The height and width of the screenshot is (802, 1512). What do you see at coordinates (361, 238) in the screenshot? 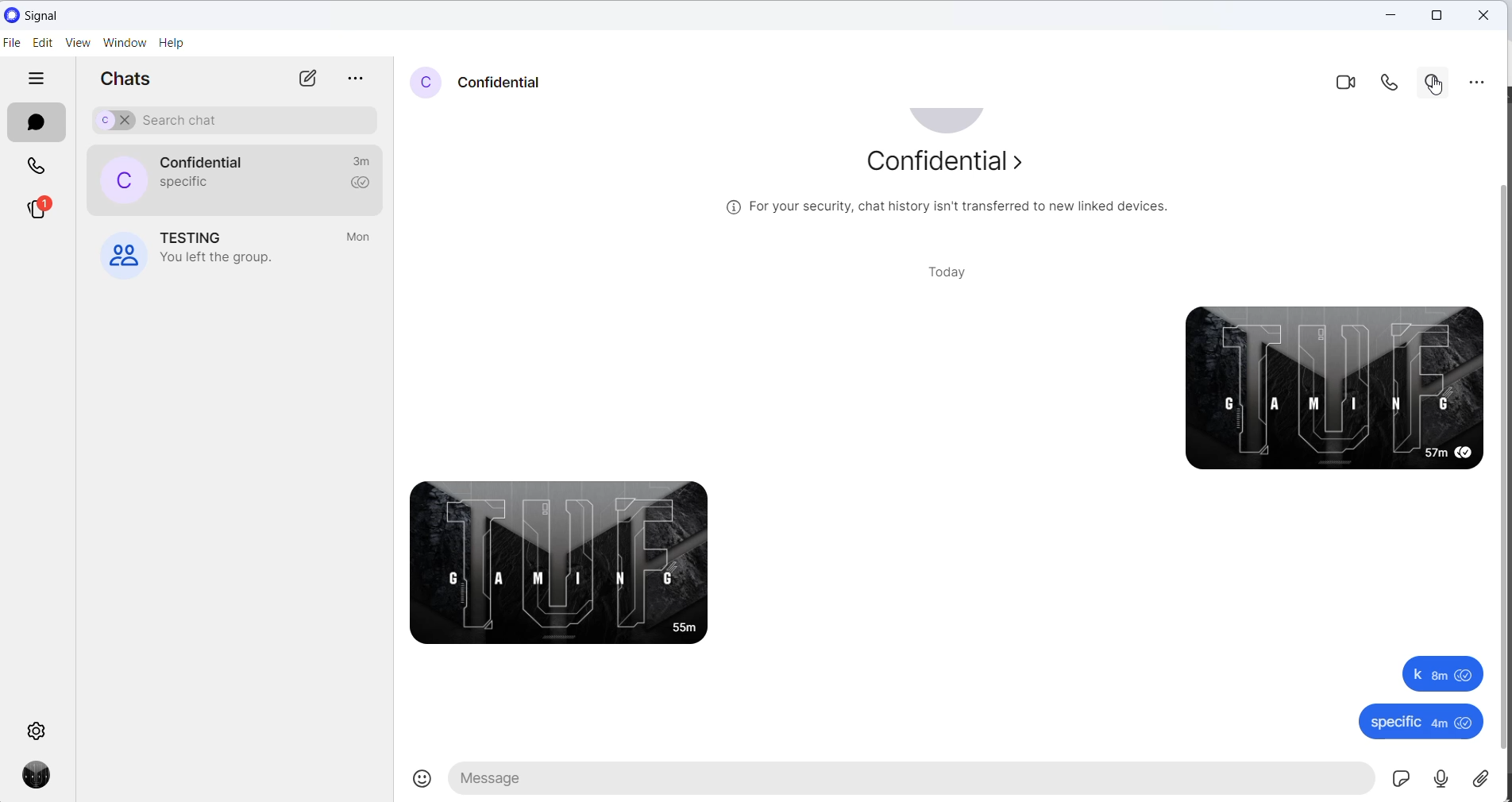
I see `last active` at bounding box center [361, 238].